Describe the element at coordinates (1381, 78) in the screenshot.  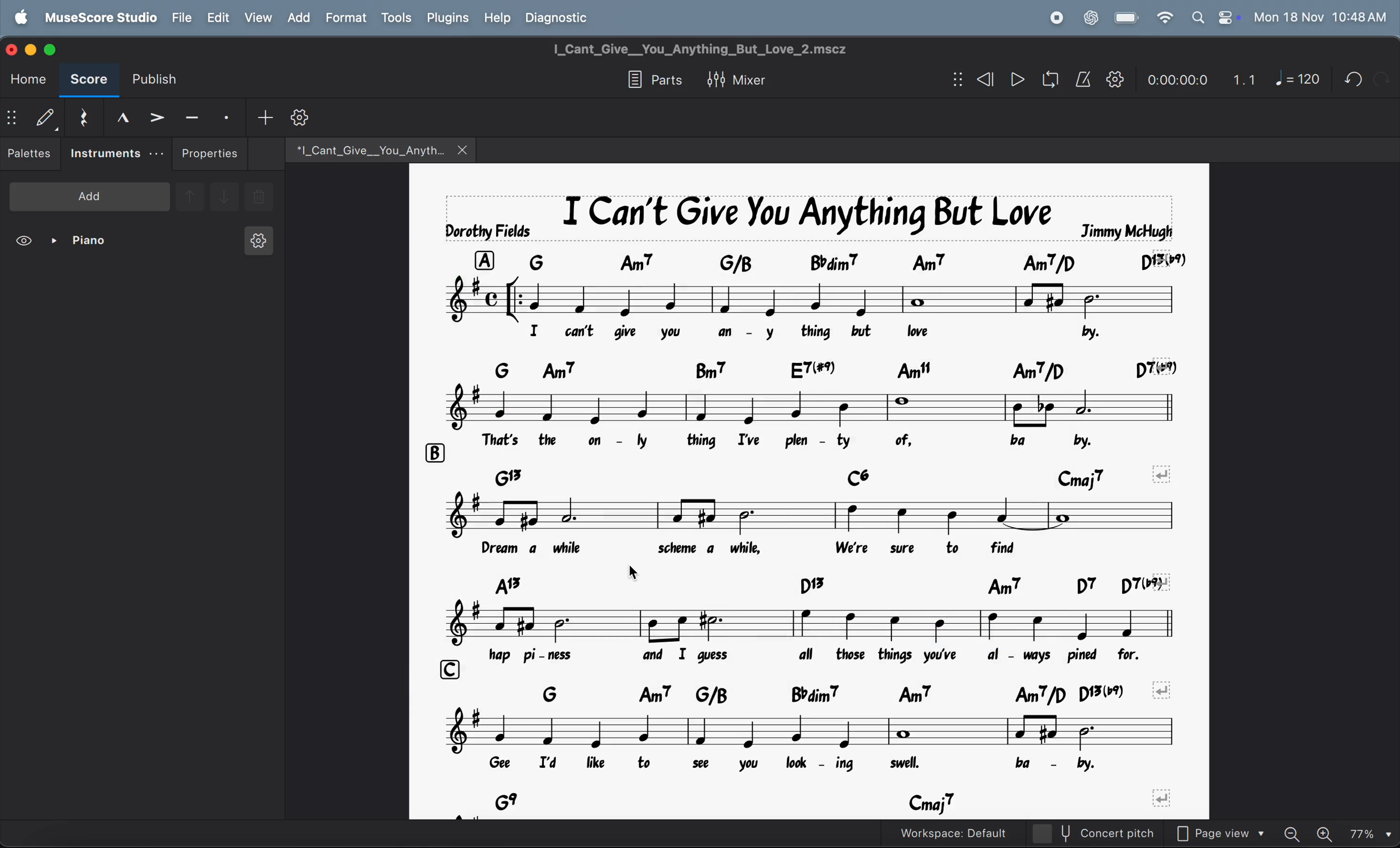
I see `undo` at that location.